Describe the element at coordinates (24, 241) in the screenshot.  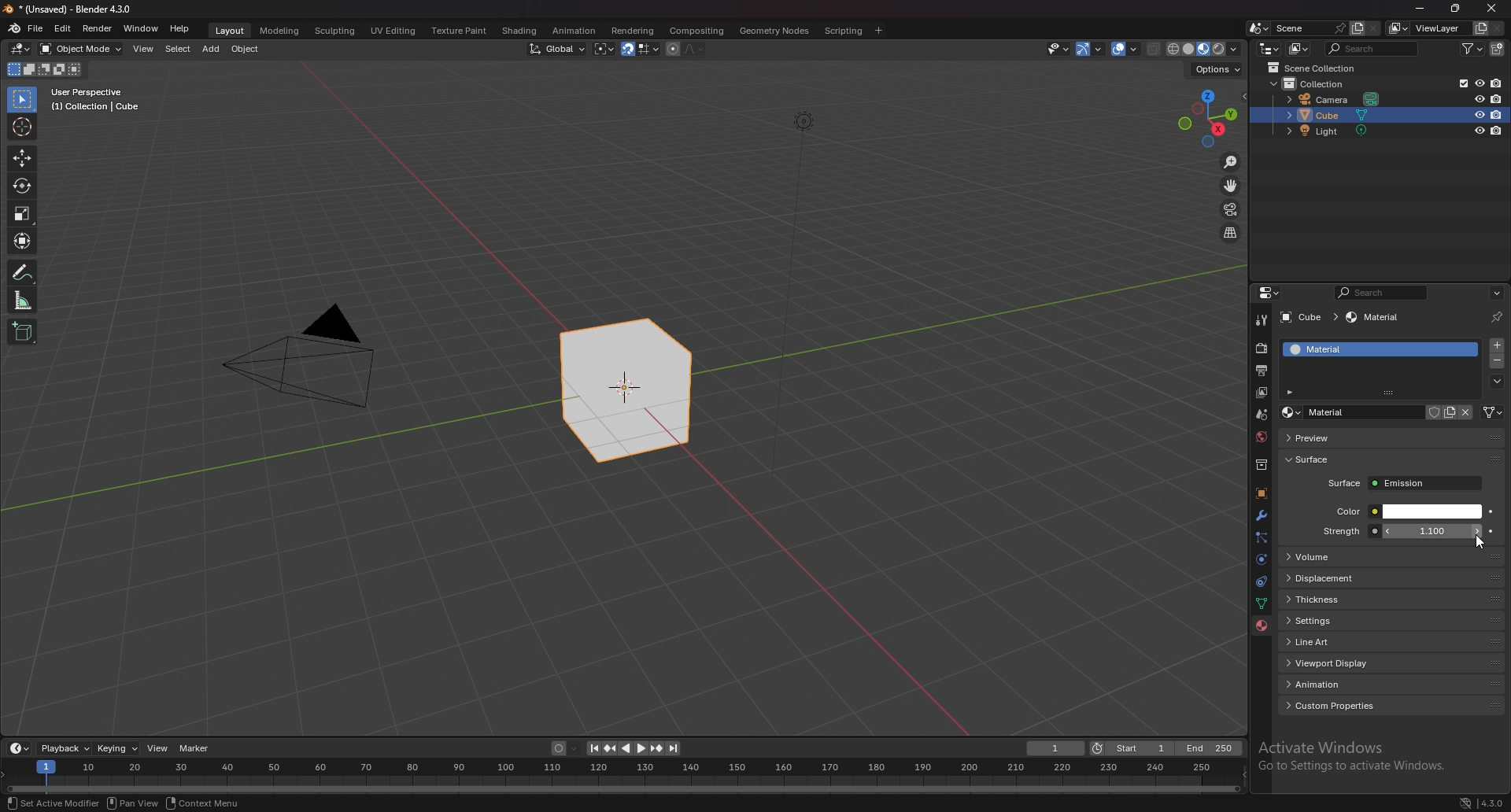
I see `transform` at that location.